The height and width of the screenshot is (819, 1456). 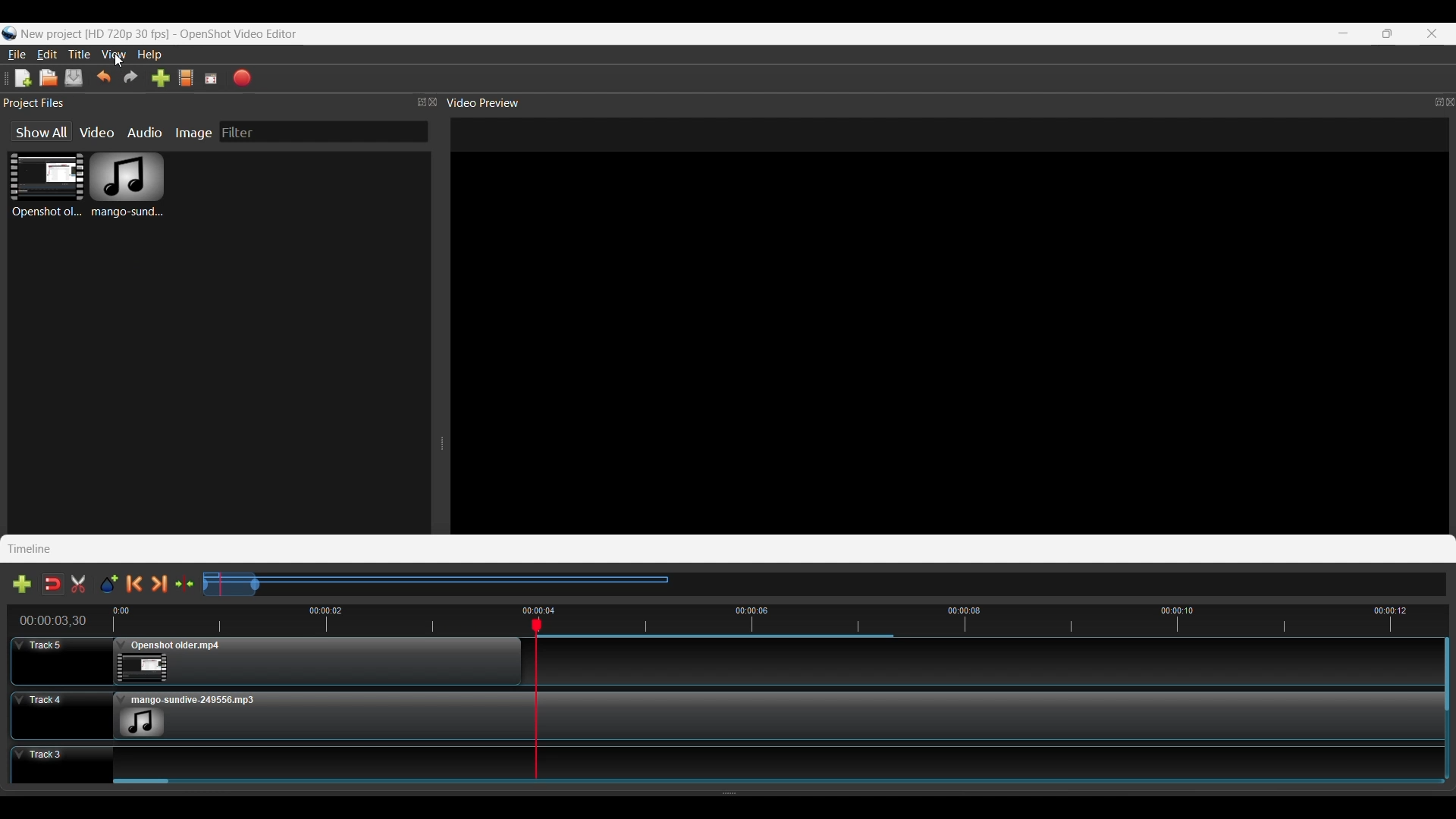 What do you see at coordinates (160, 584) in the screenshot?
I see `Next Marker` at bounding box center [160, 584].